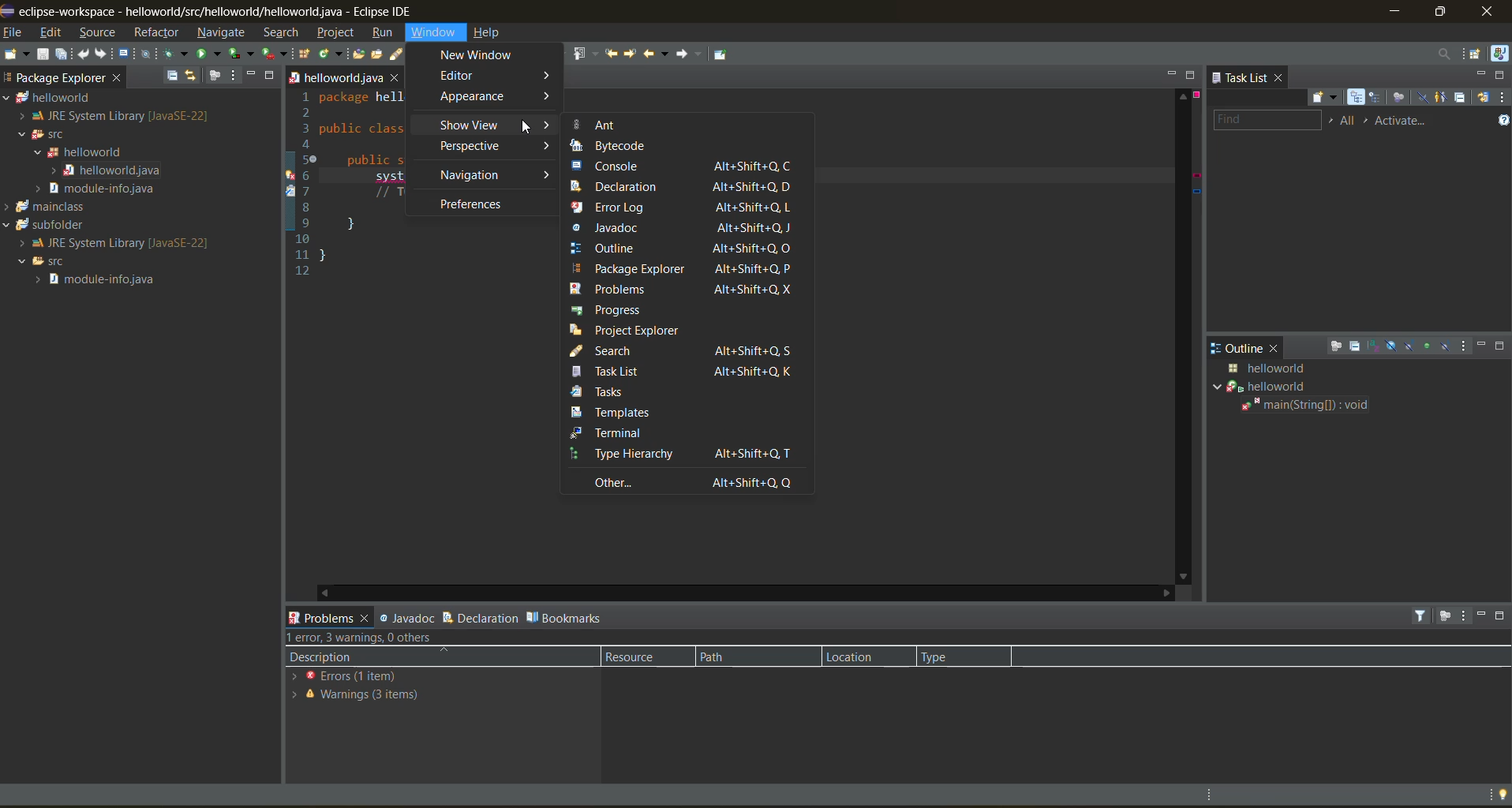 This screenshot has height=808, width=1512. What do you see at coordinates (118, 80) in the screenshot?
I see `close` at bounding box center [118, 80].